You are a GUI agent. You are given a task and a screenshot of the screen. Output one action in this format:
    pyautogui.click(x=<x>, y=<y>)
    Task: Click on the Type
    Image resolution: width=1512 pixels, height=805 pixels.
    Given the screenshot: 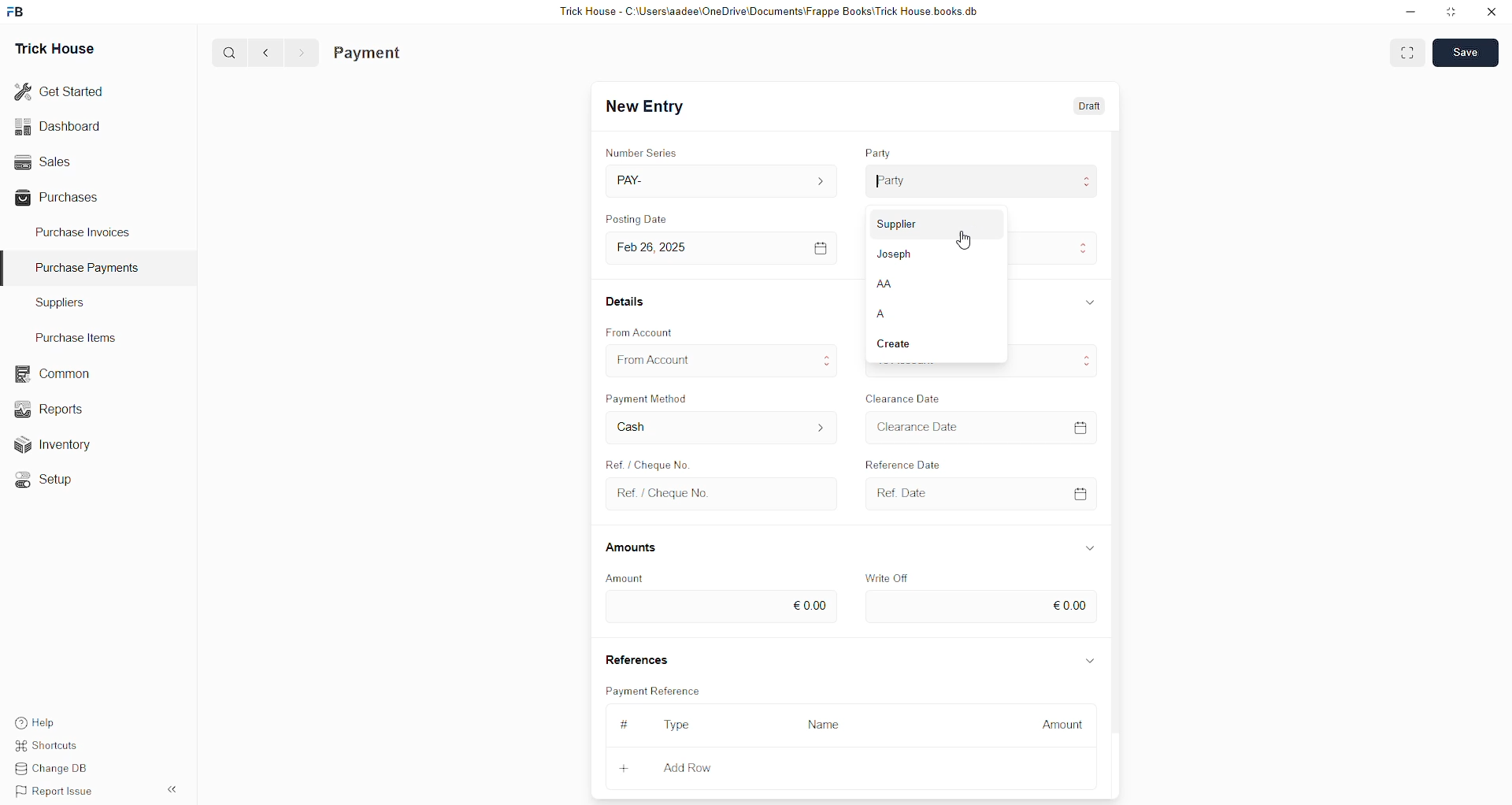 What is the action you would take?
    pyautogui.click(x=680, y=725)
    